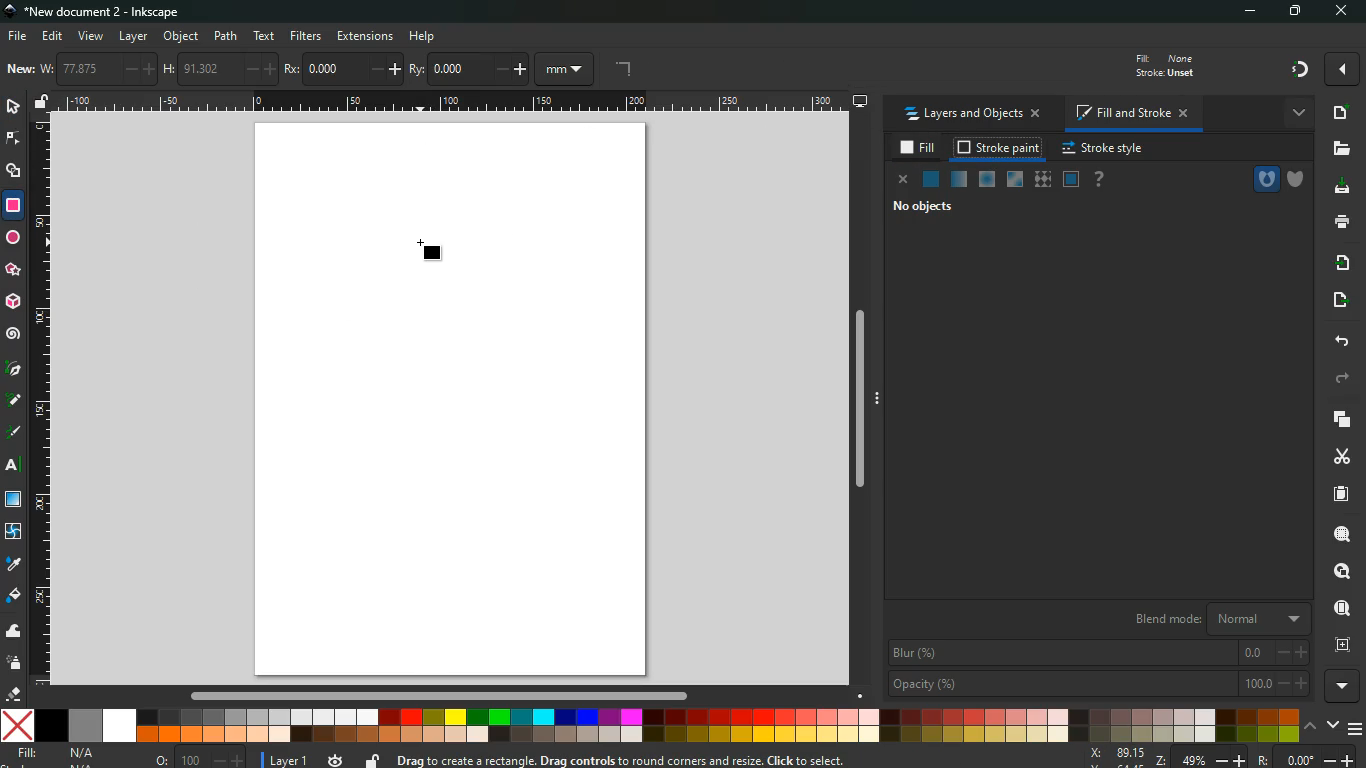 This screenshot has height=768, width=1366. What do you see at coordinates (1294, 70) in the screenshot?
I see `gradient` at bounding box center [1294, 70].